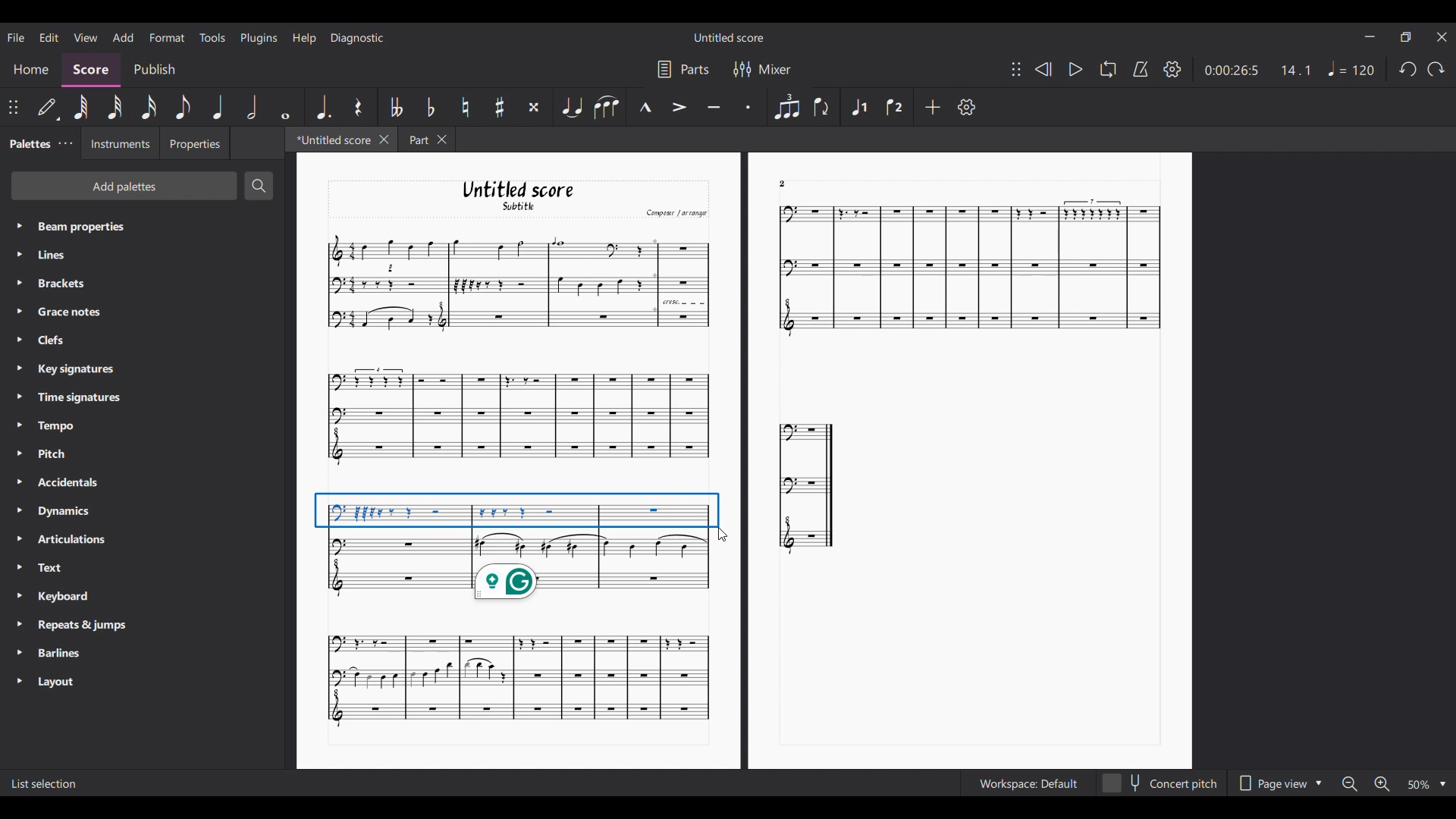 This screenshot has height=819, width=1456. I want to click on Score , so click(91, 71).